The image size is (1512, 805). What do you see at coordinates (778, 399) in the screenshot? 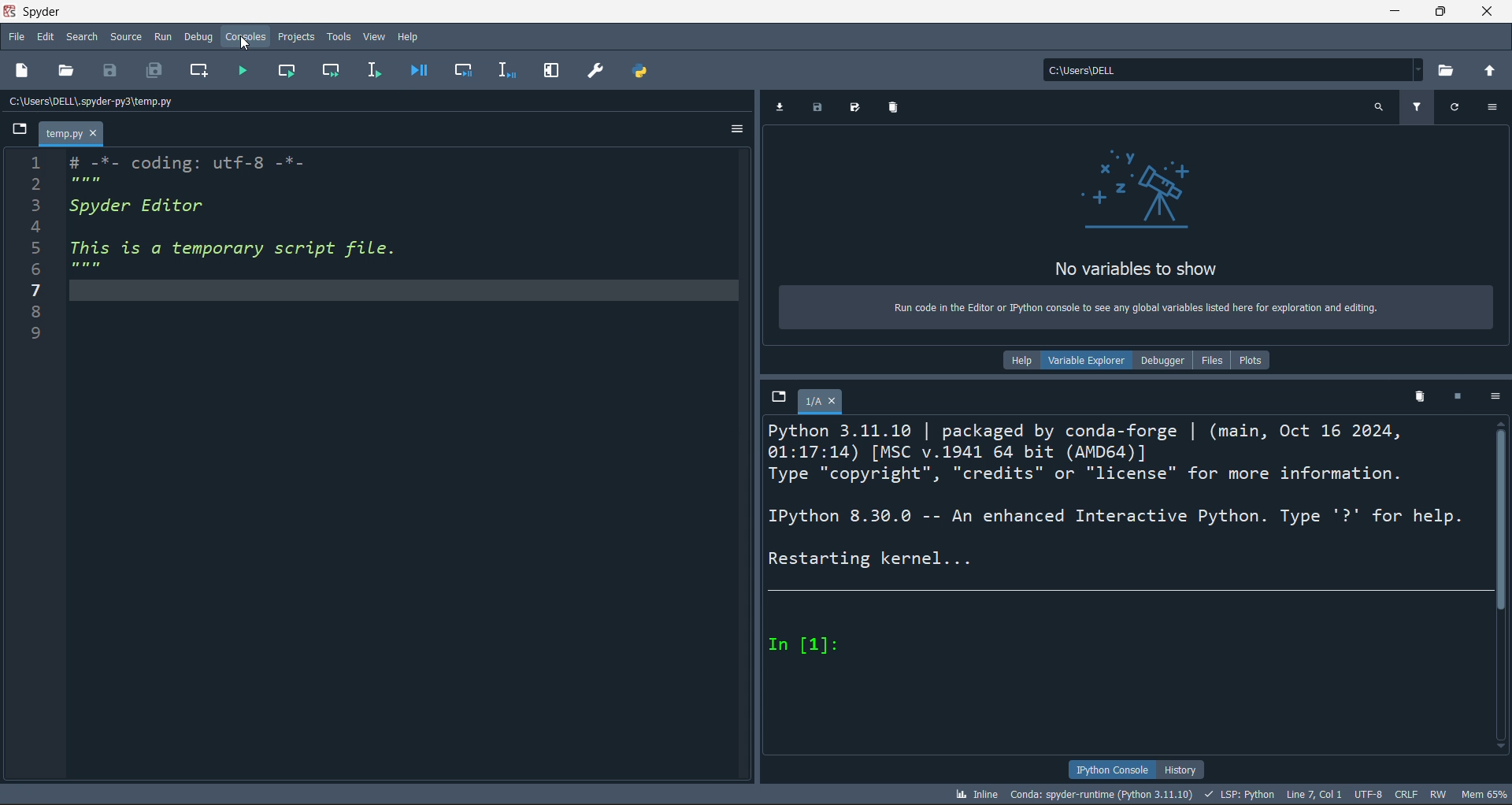
I see `browse tabs` at bounding box center [778, 399].